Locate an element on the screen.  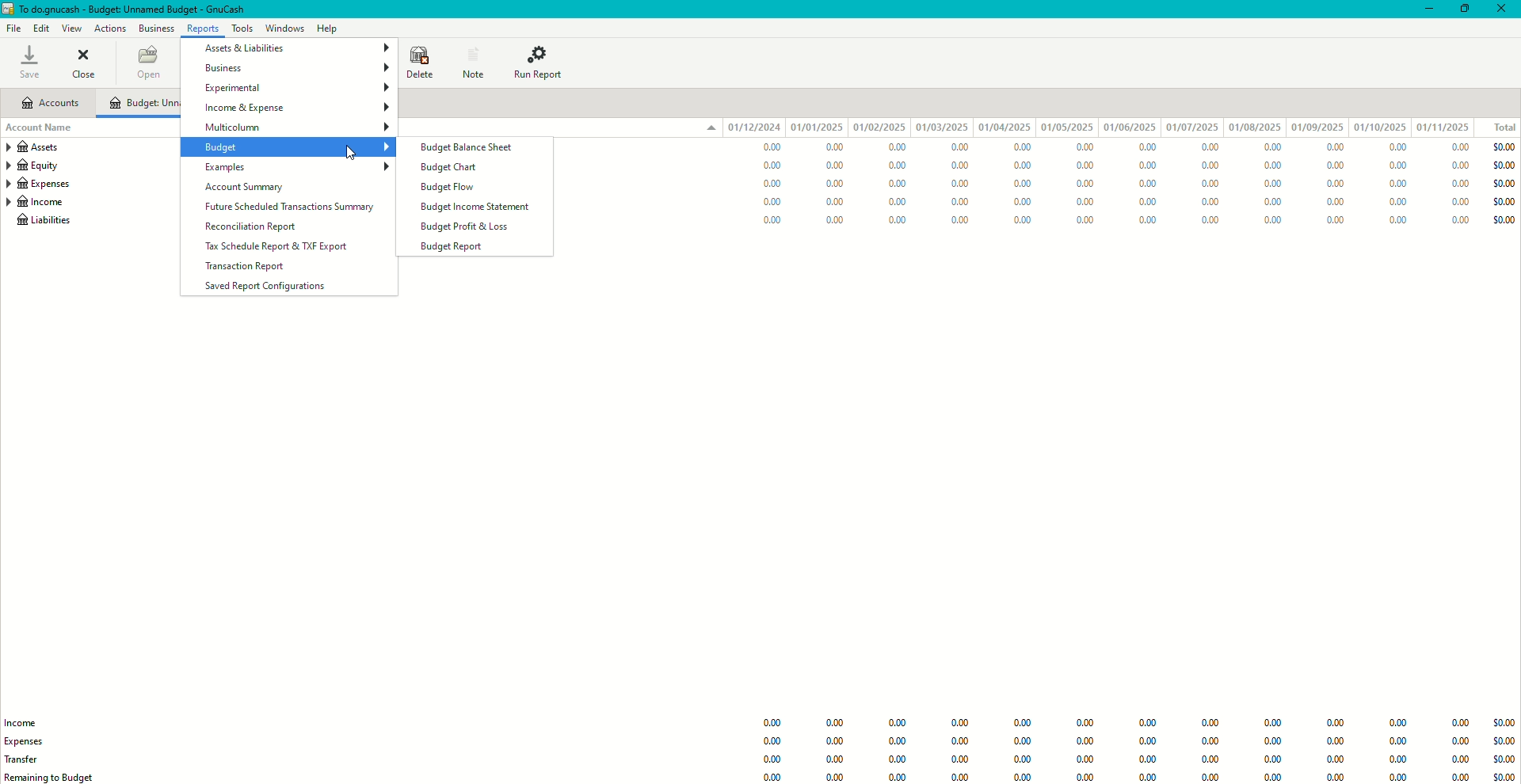
0.00 is located at coordinates (768, 147).